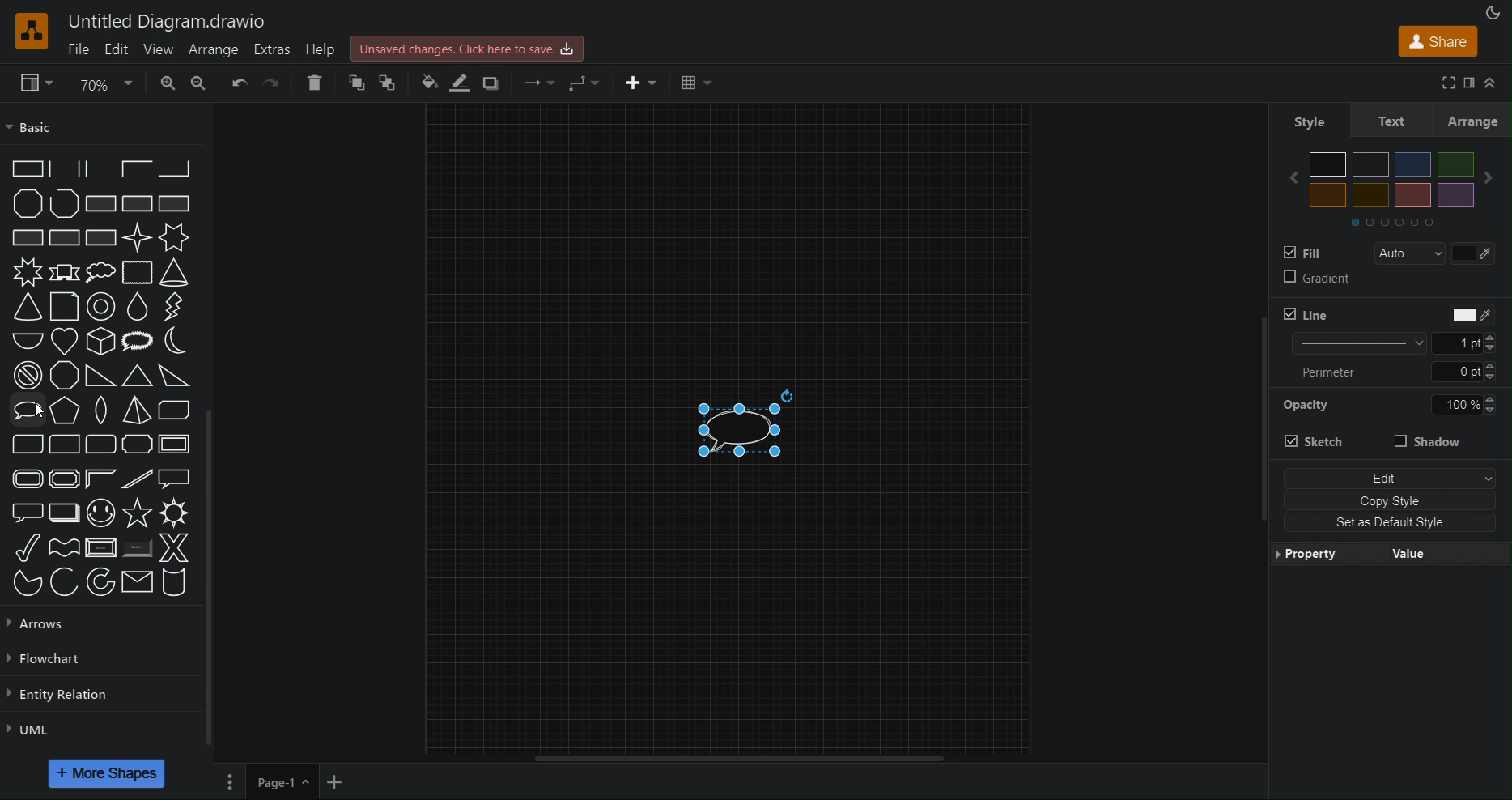  I want to click on Shadow, so click(494, 83).